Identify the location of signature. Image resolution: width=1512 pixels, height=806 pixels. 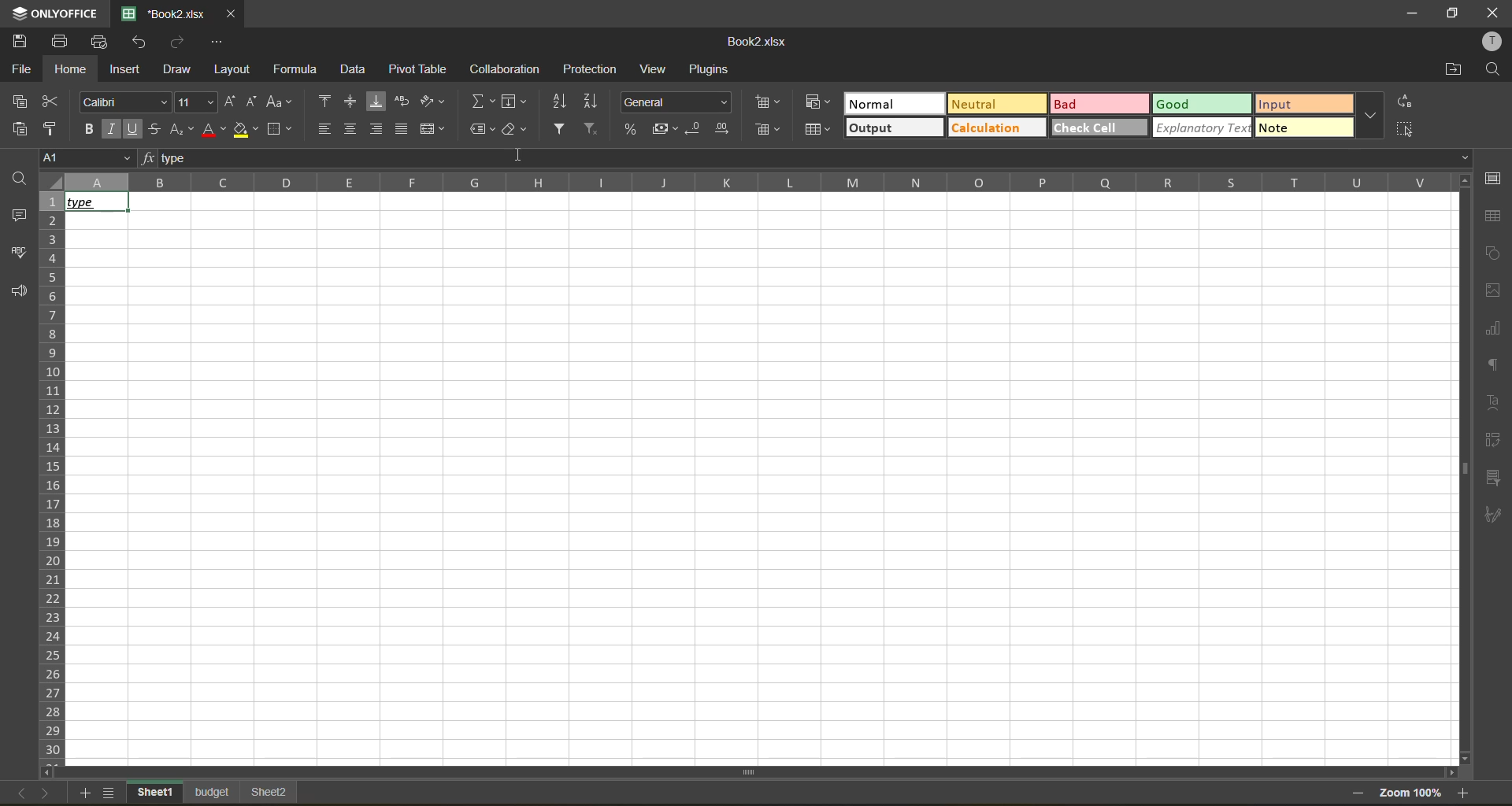
(1492, 515).